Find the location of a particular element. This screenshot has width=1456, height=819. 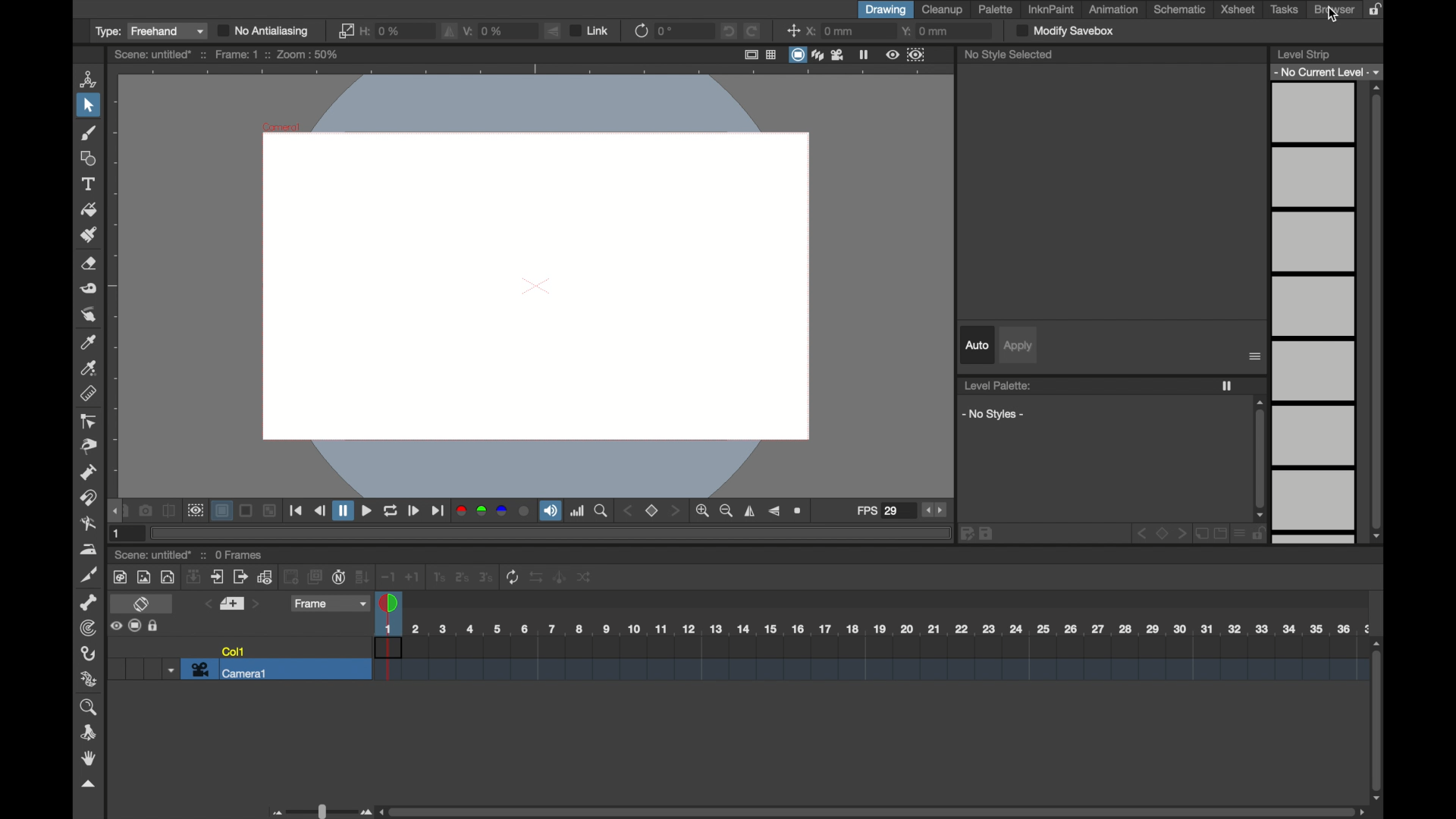

red is located at coordinates (460, 510).